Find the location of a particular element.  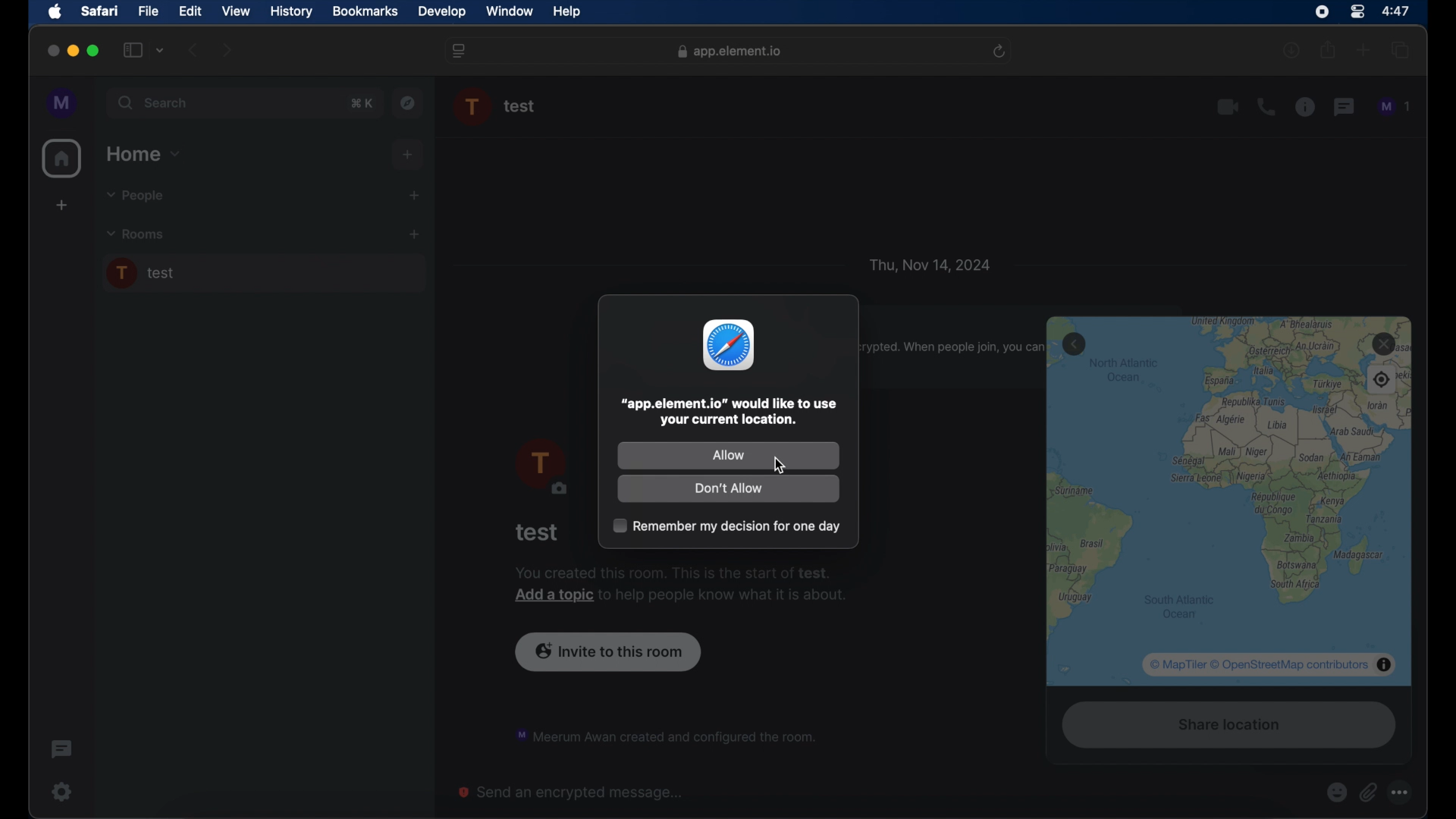

add is located at coordinates (61, 207).